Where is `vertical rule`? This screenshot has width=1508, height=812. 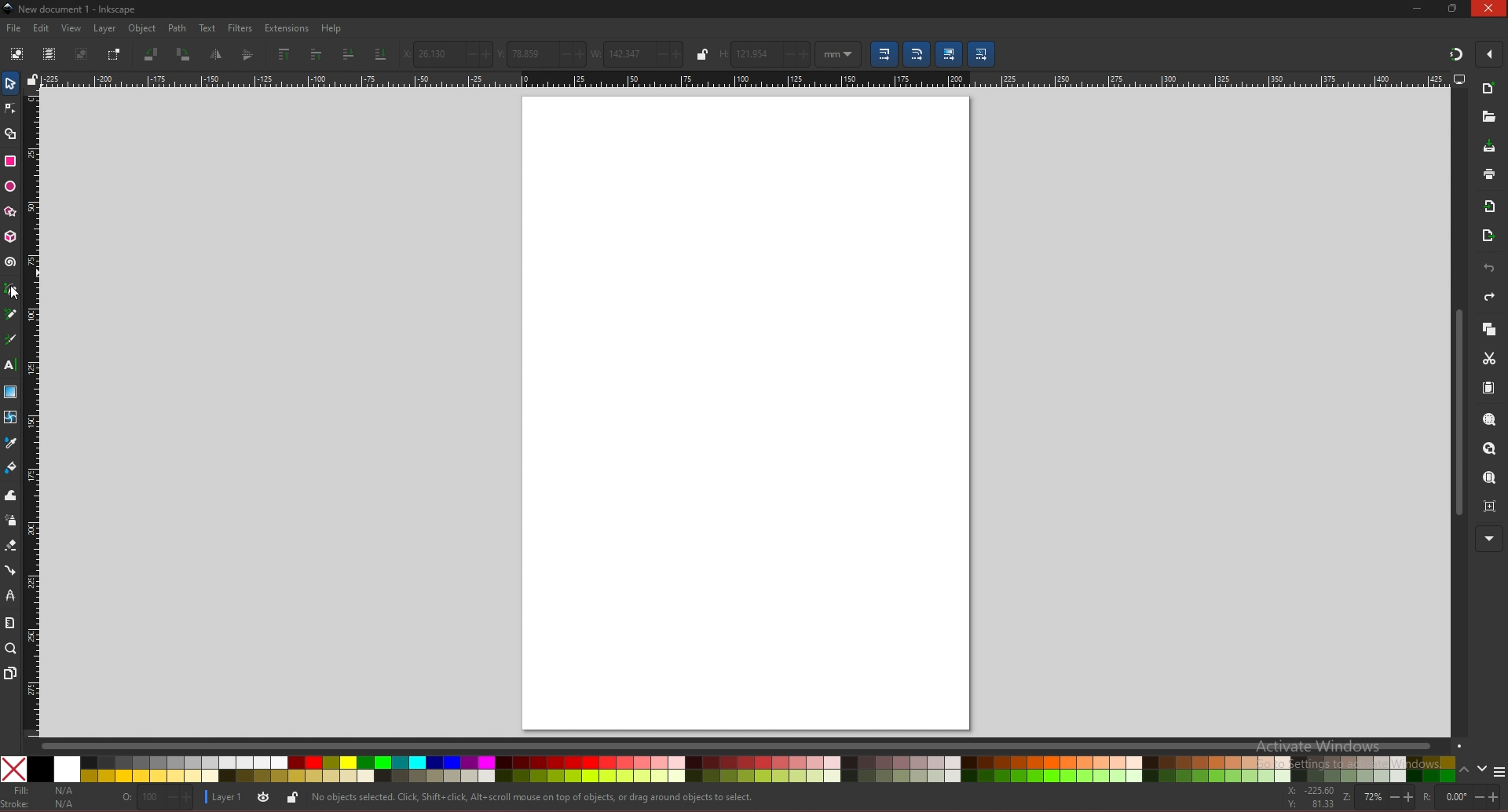
vertical rule is located at coordinates (31, 411).